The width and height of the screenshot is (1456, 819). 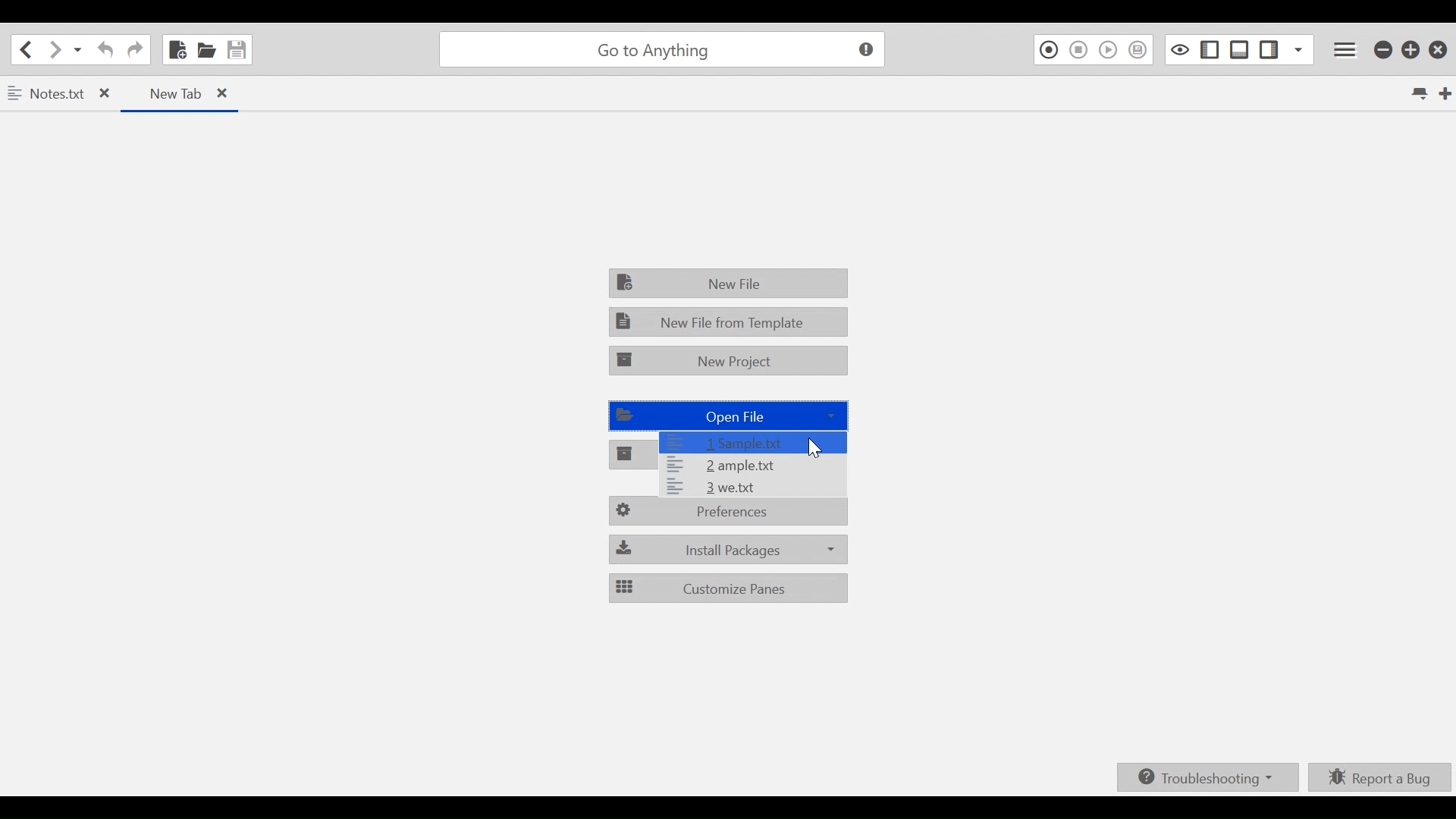 I want to click on 2 ample.txt , so click(x=752, y=466).